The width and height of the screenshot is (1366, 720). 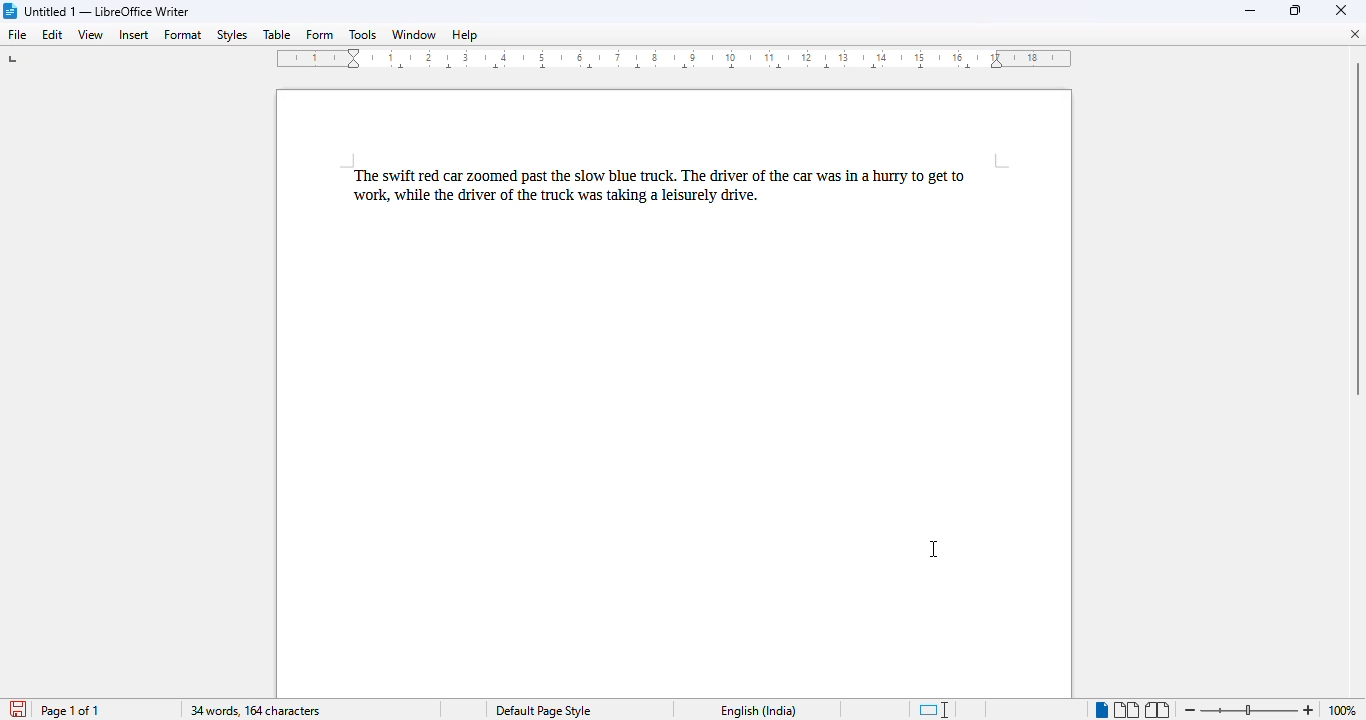 What do you see at coordinates (1297, 10) in the screenshot?
I see `maximize` at bounding box center [1297, 10].